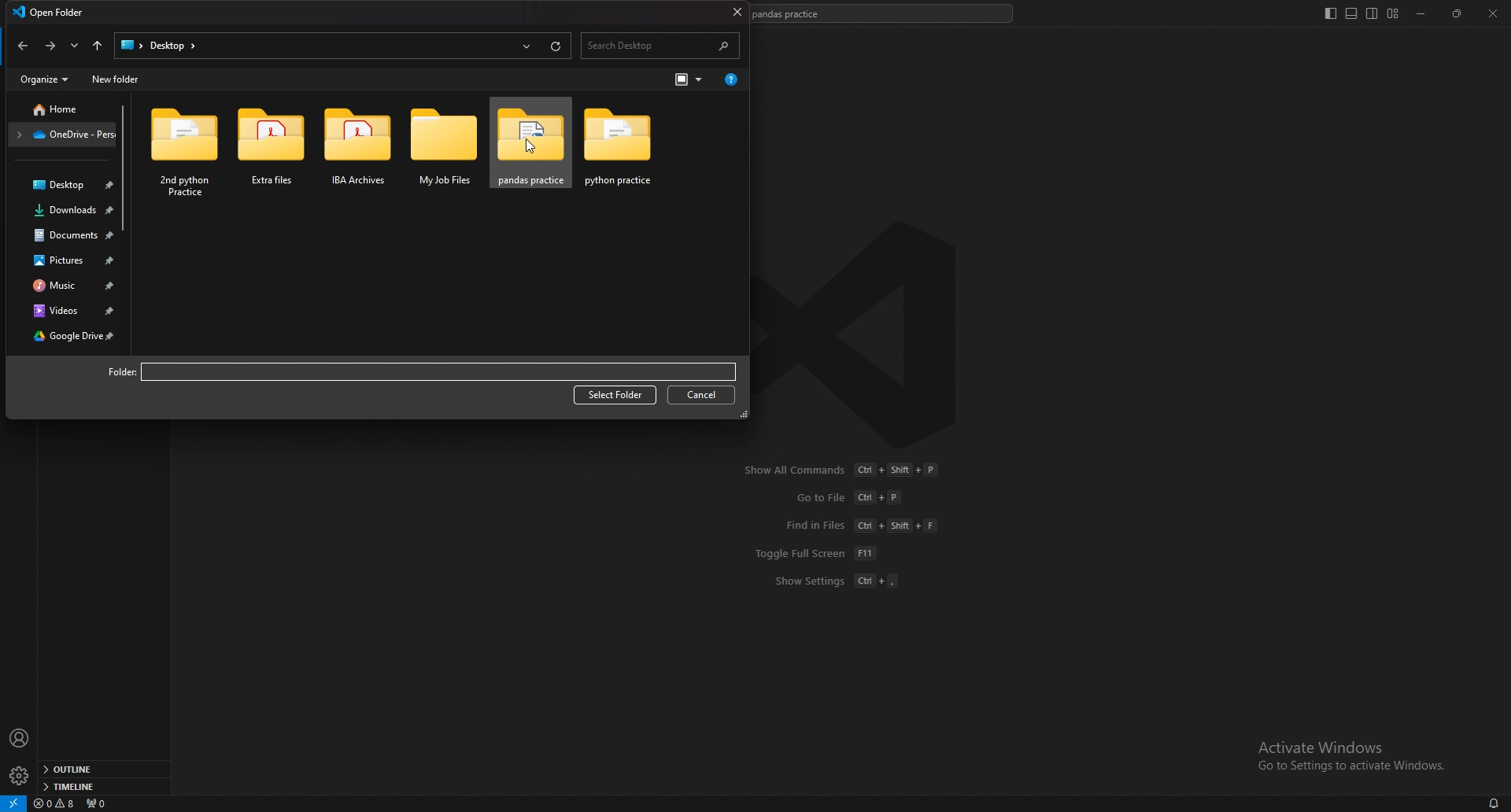  I want to click on scroll bar, so click(127, 168).